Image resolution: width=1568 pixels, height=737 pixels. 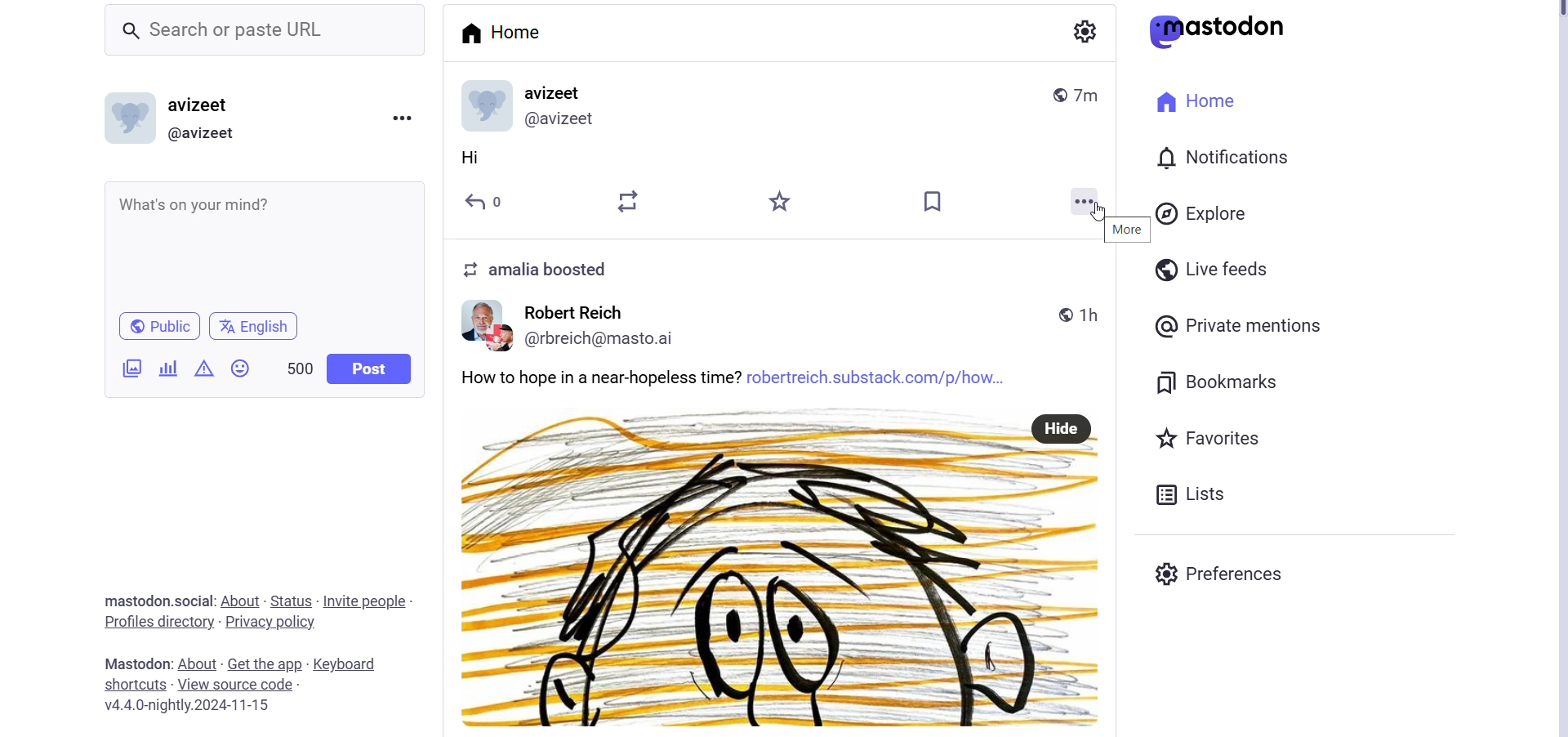 What do you see at coordinates (1082, 30) in the screenshot?
I see `Setting` at bounding box center [1082, 30].